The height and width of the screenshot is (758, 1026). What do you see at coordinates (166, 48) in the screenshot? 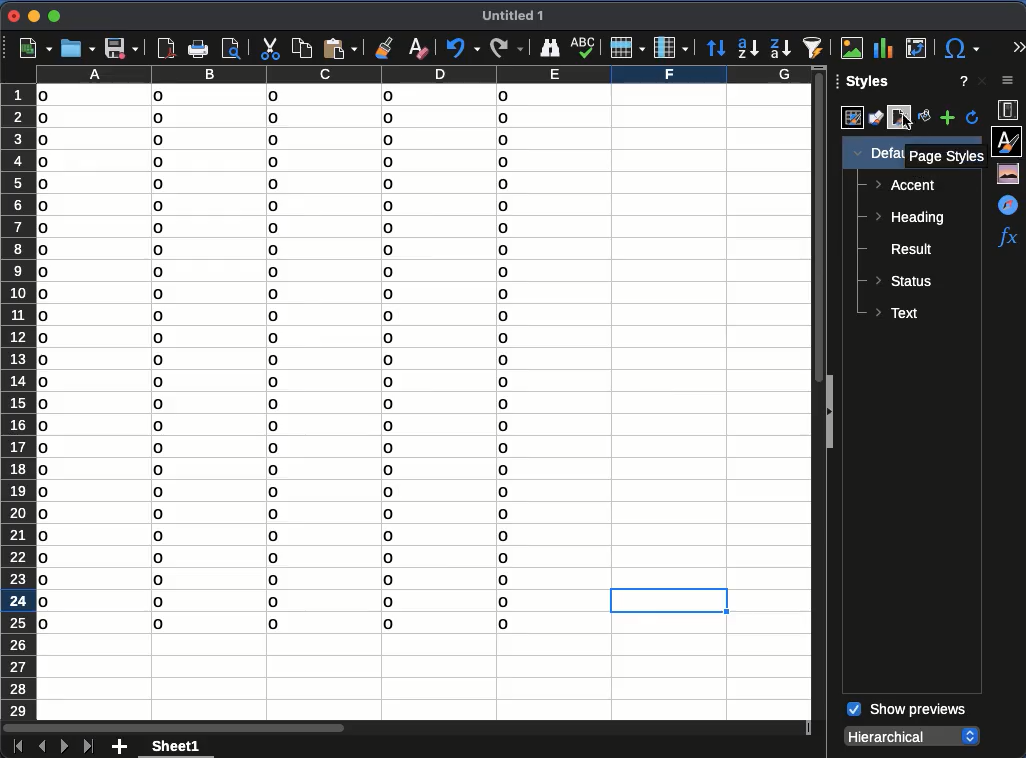
I see `pdf viewer` at bounding box center [166, 48].